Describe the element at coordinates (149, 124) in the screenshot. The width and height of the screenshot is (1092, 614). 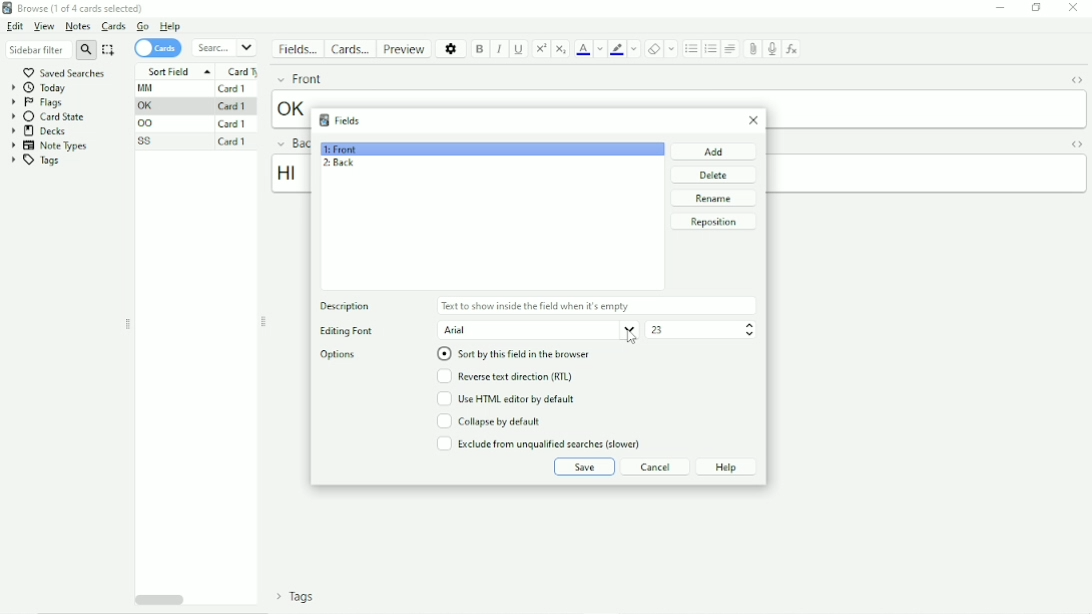
I see `OO` at that location.